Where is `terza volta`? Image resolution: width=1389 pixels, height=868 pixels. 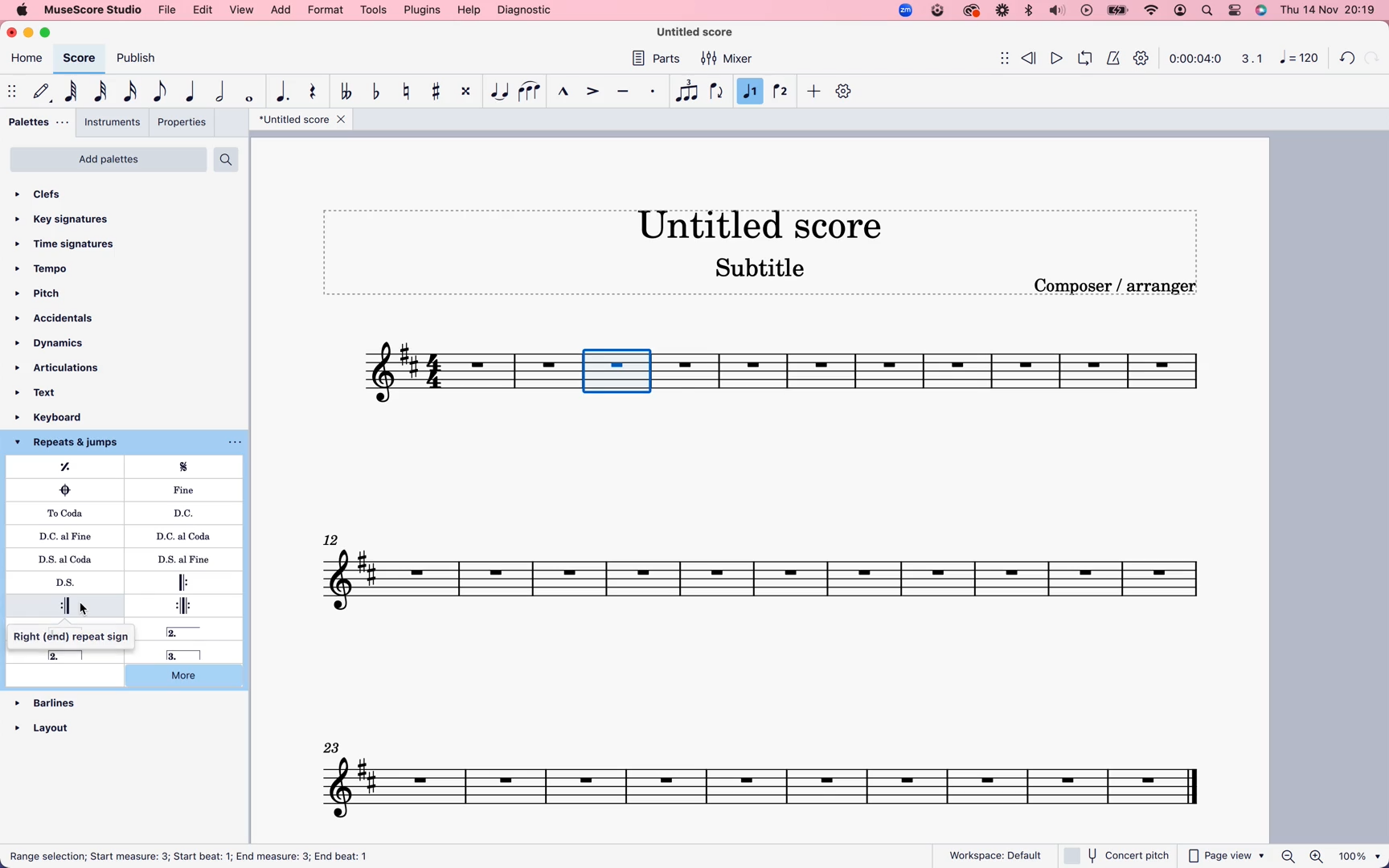
terza volta is located at coordinates (179, 655).